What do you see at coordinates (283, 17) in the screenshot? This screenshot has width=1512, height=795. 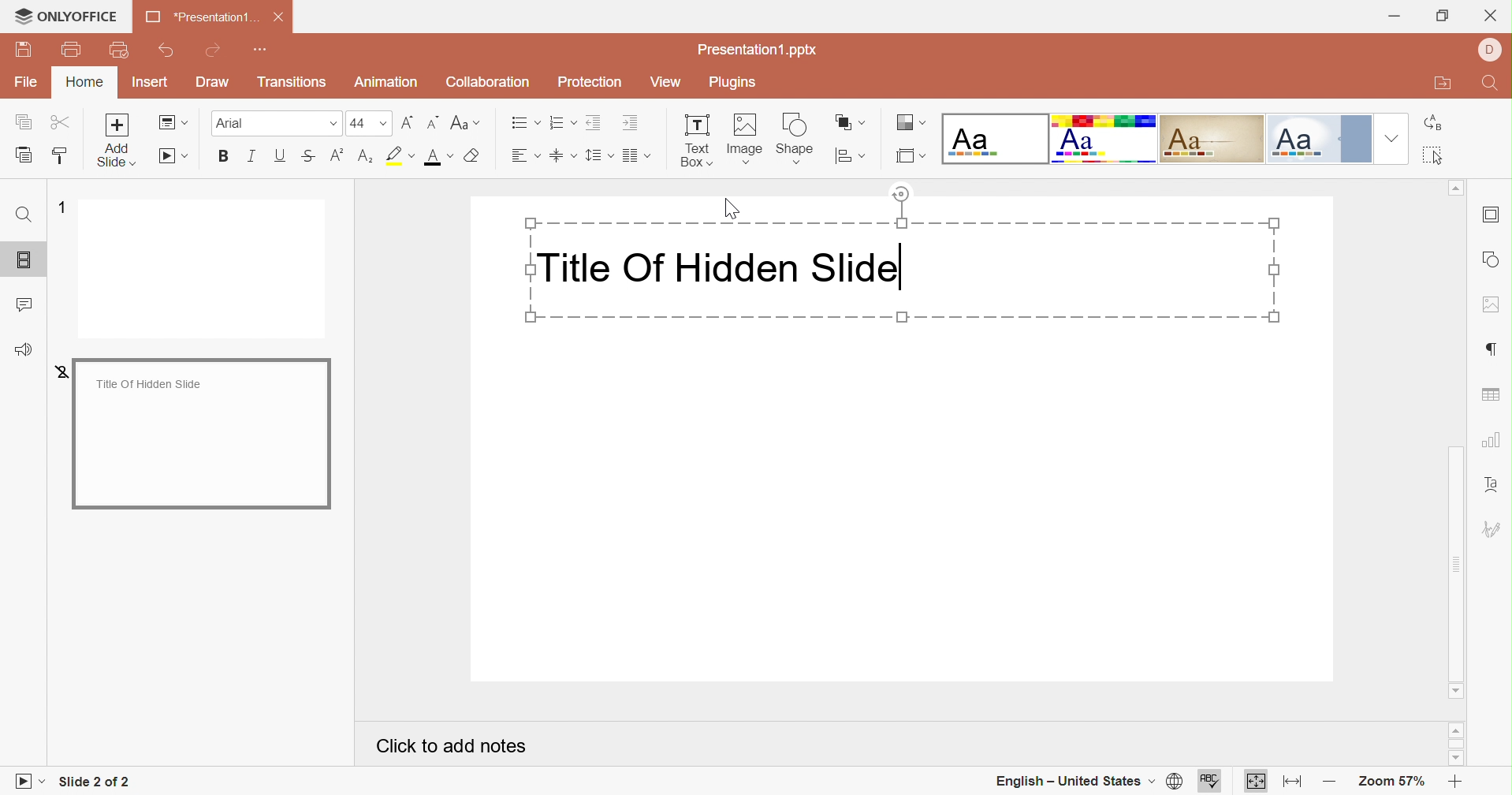 I see `Close` at bounding box center [283, 17].